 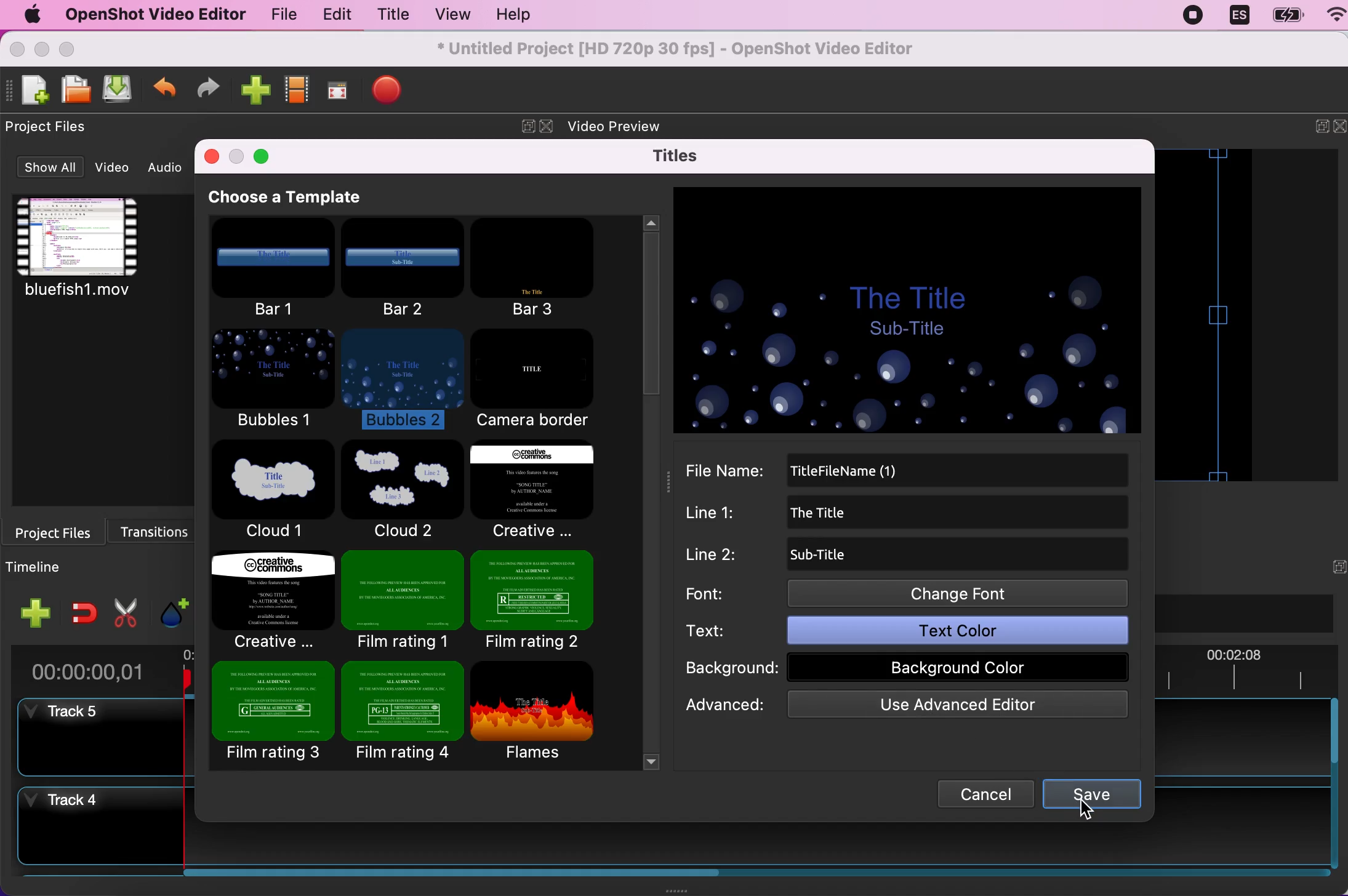 What do you see at coordinates (48, 169) in the screenshot?
I see `show all` at bounding box center [48, 169].